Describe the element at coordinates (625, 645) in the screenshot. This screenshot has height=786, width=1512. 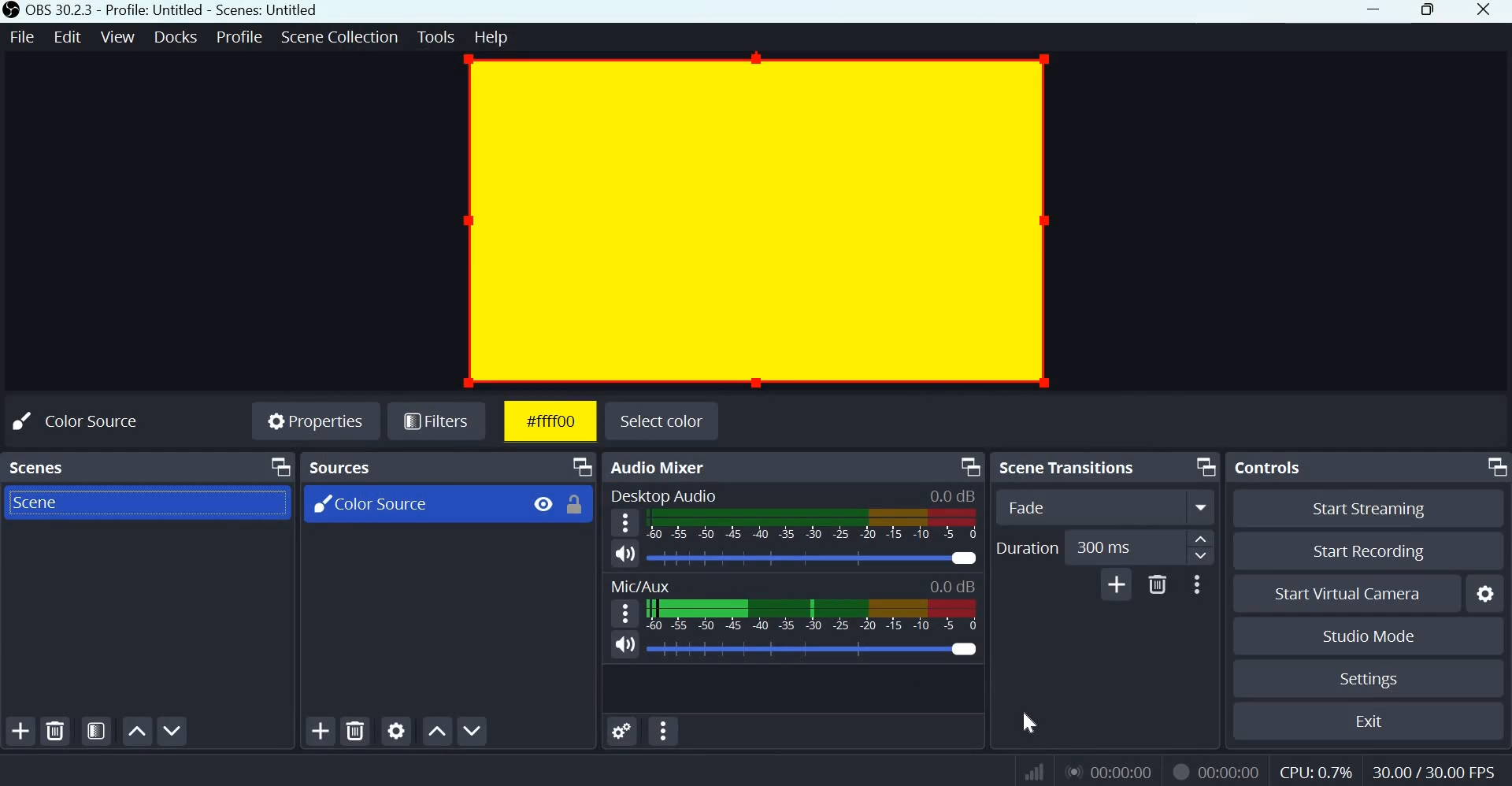
I see `Speaker icon` at that location.